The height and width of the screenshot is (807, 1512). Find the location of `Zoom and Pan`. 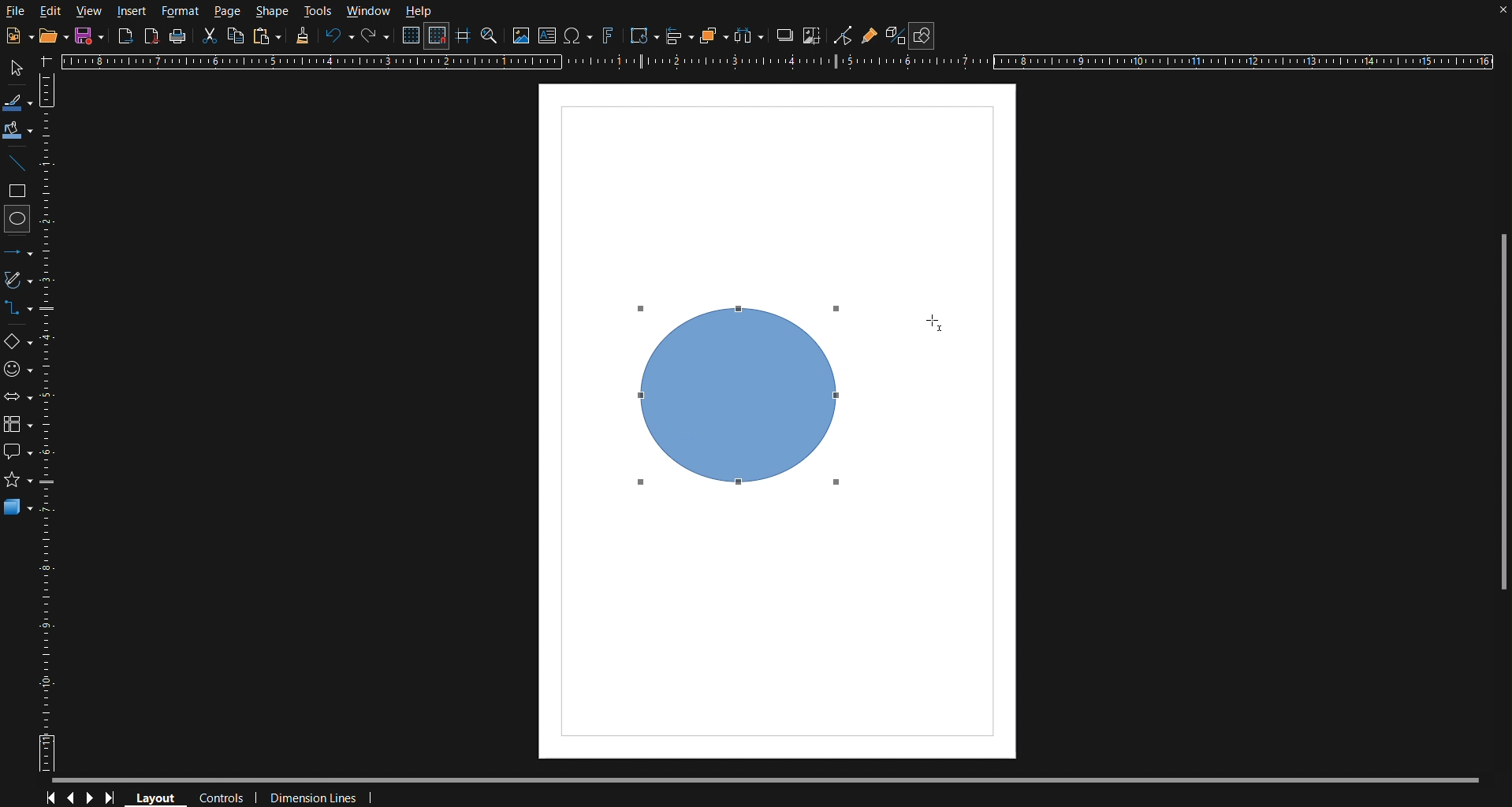

Zoom and Pan is located at coordinates (490, 38).